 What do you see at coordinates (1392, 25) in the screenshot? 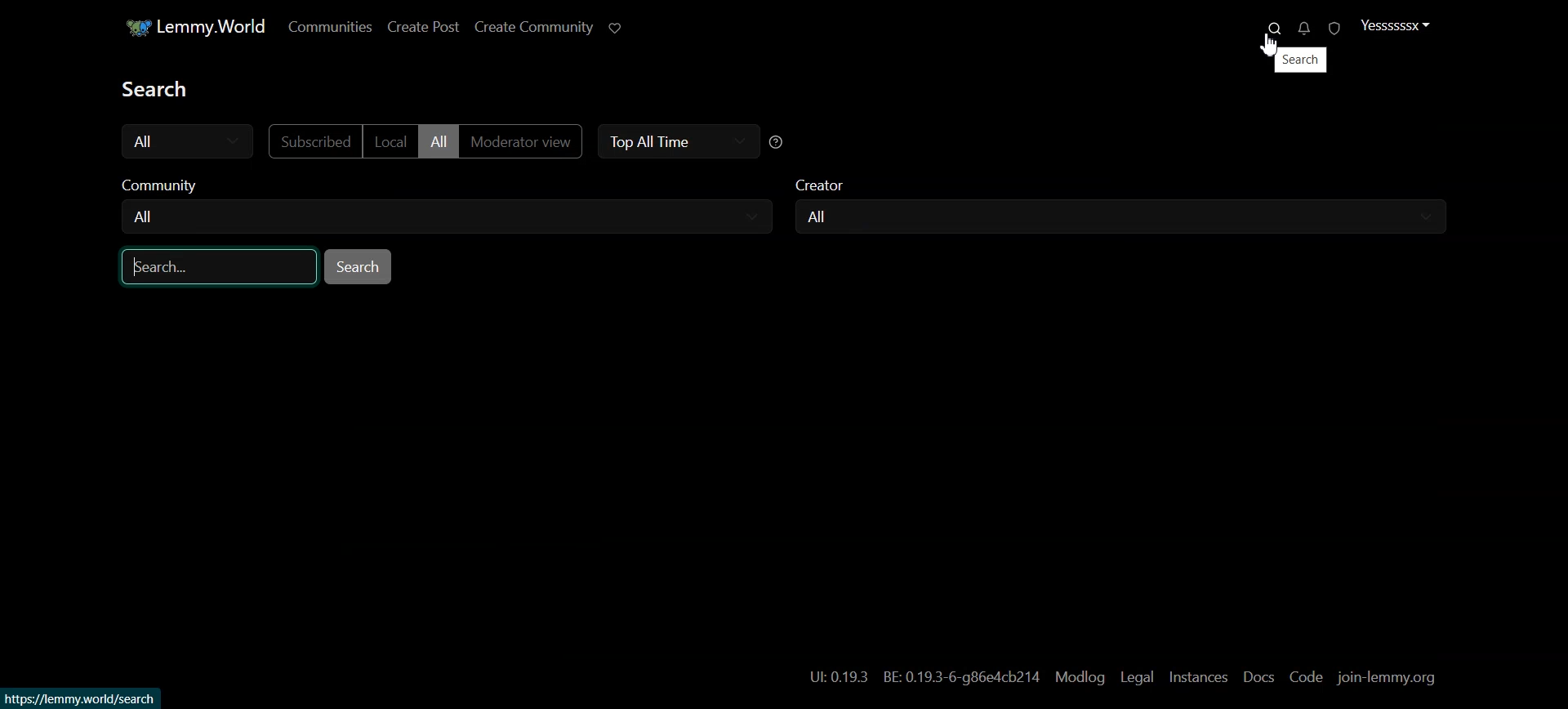
I see `Profile` at bounding box center [1392, 25].